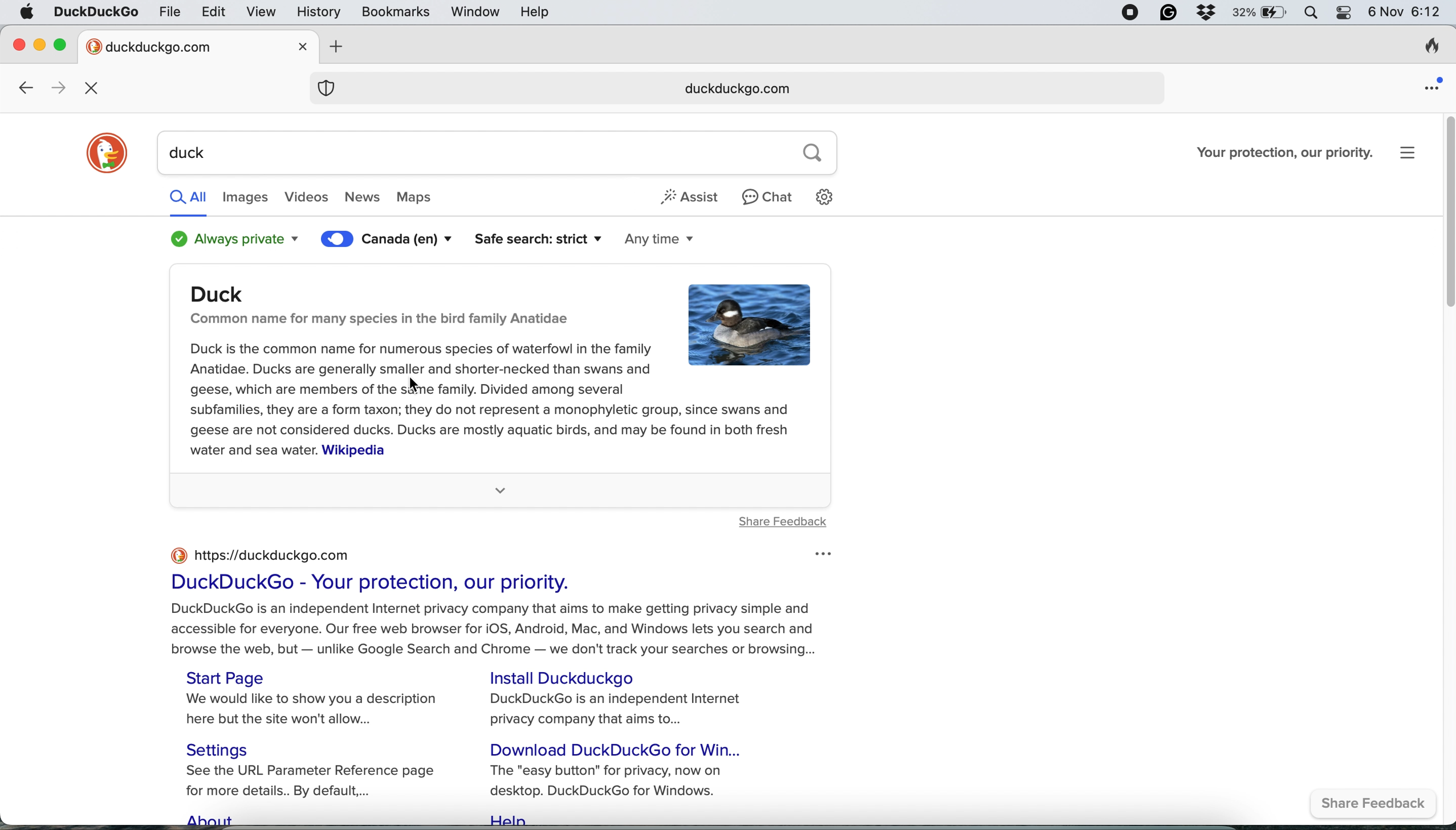  What do you see at coordinates (1285, 152) in the screenshot?
I see `Your protection, our priority.` at bounding box center [1285, 152].